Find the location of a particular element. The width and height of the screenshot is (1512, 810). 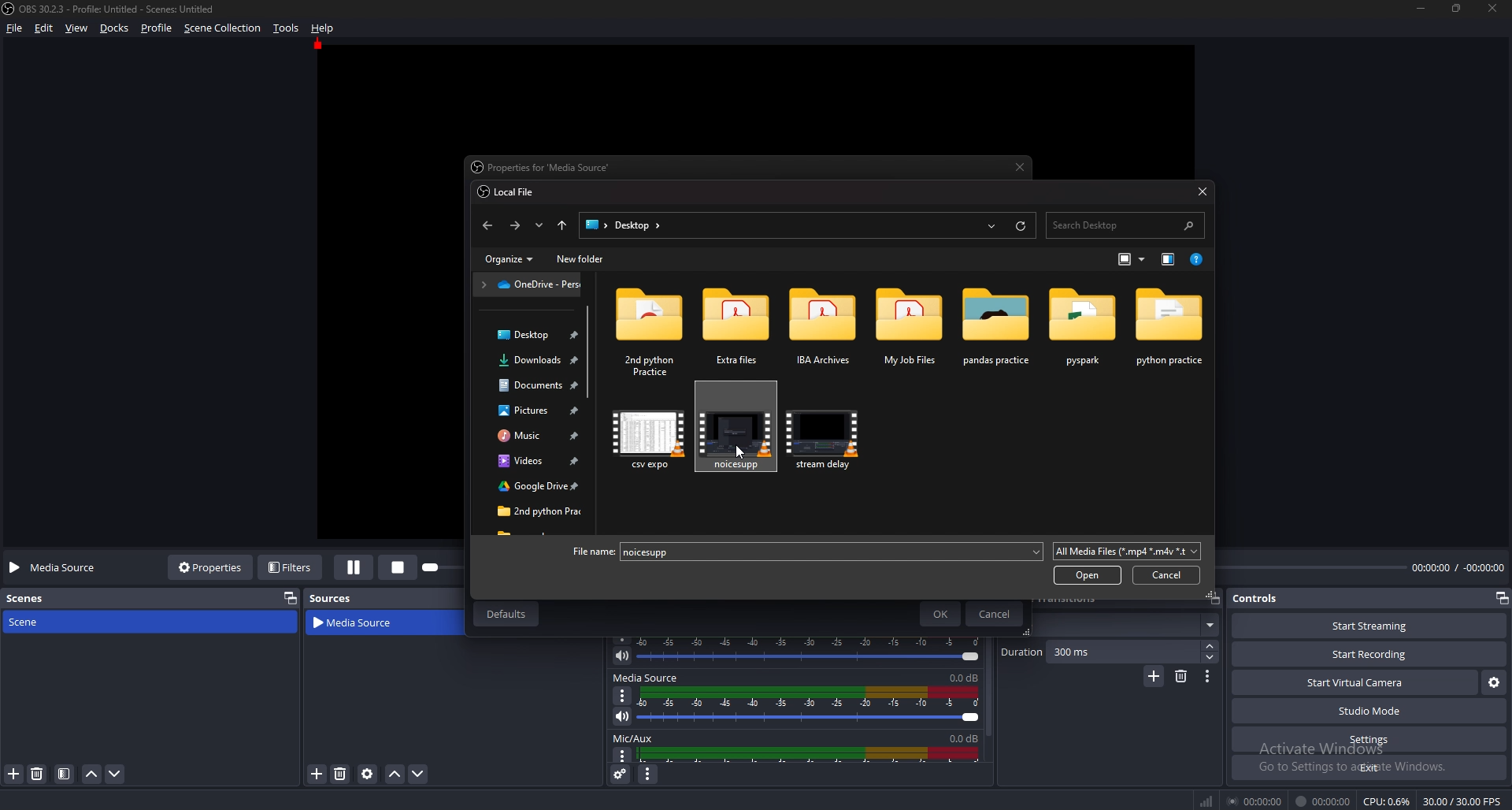

recent is located at coordinates (992, 226).